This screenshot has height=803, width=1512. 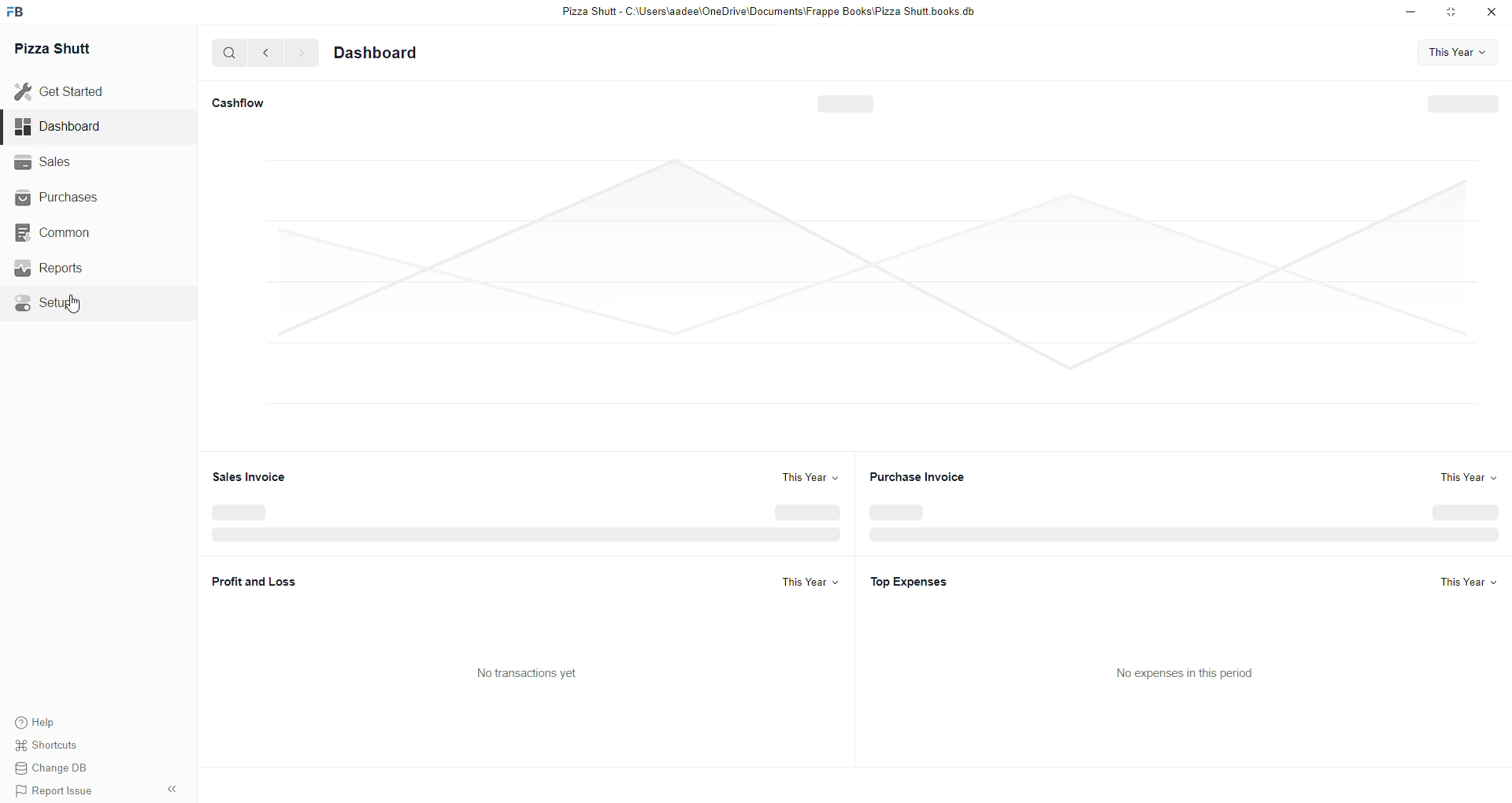 I want to click on Purchase Invoice , so click(x=925, y=476).